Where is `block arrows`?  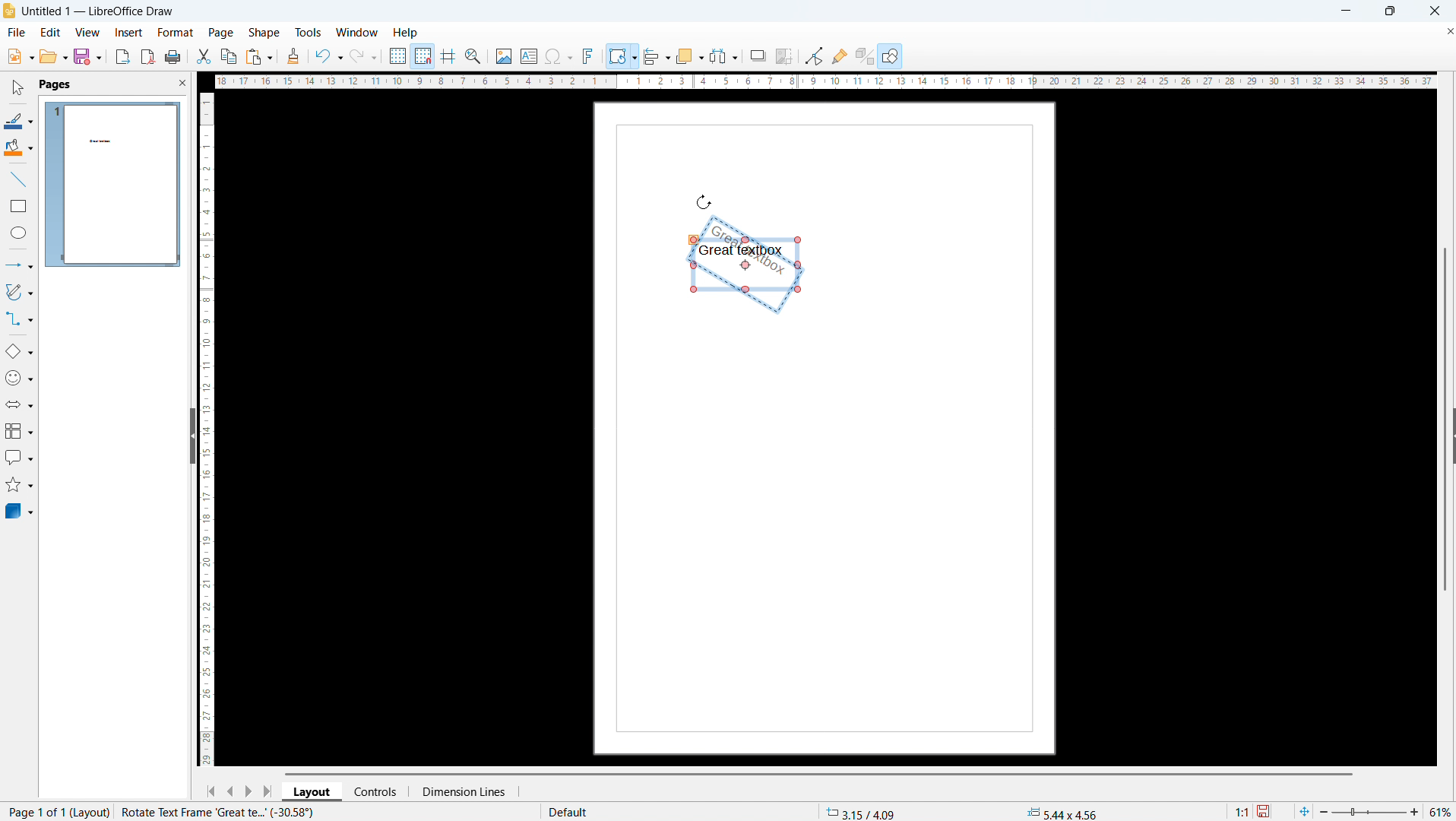 block arrows is located at coordinates (19, 404).